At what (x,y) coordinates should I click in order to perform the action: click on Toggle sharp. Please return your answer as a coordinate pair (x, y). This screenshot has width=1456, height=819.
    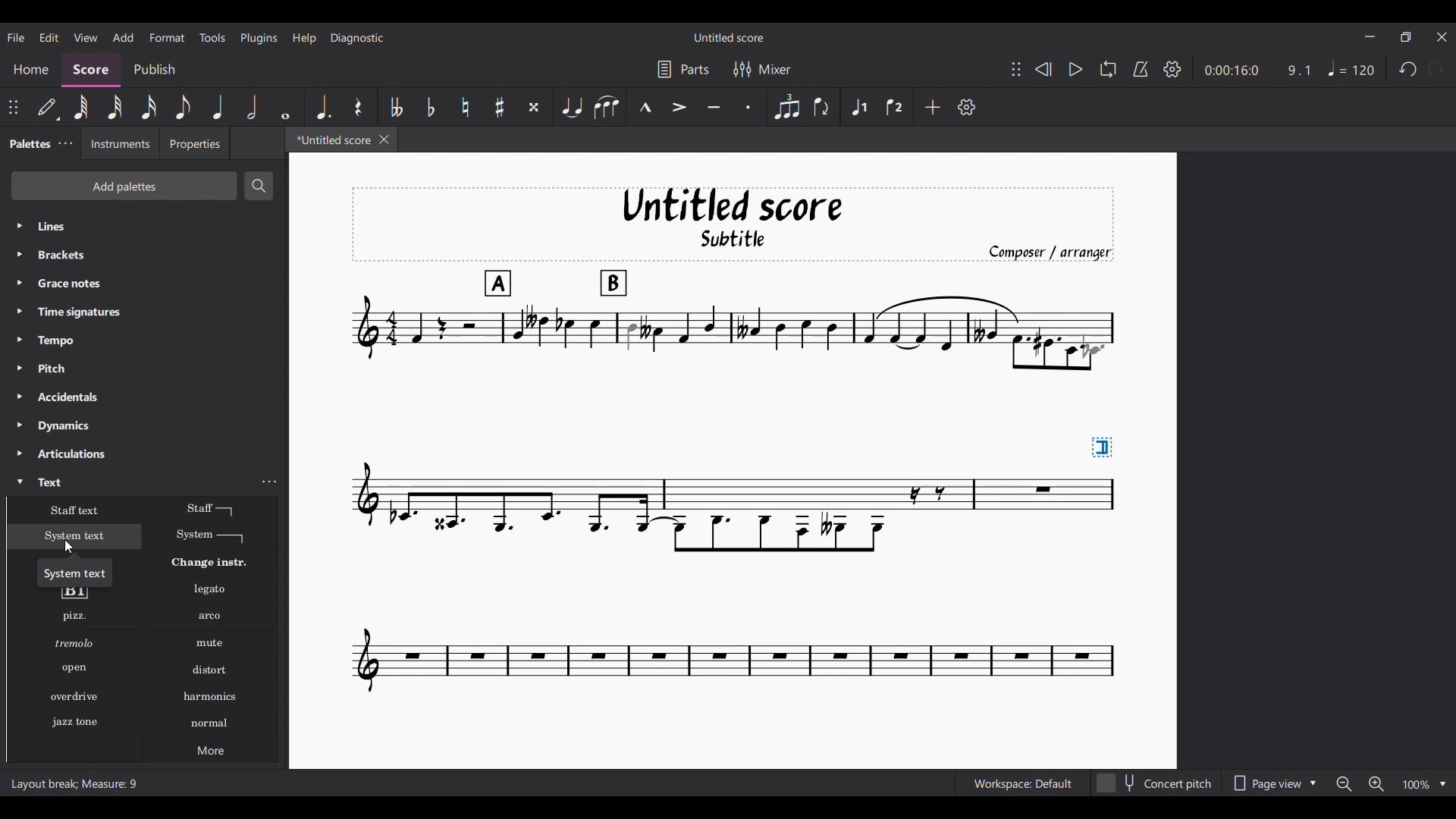
    Looking at the image, I should click on (499, 107).